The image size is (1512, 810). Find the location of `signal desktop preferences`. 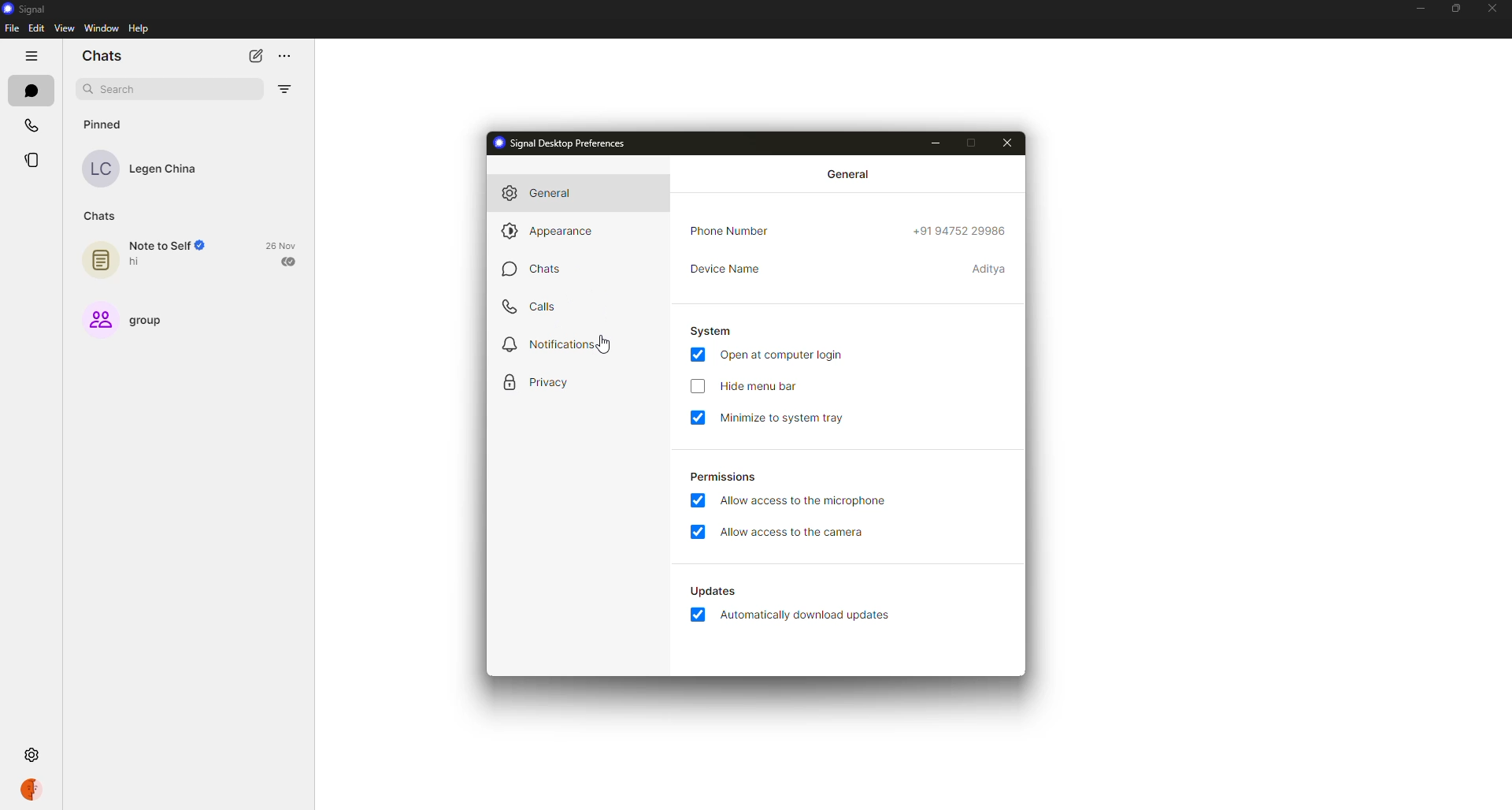

signal desktop preferences is located at coordinates (564, 143).